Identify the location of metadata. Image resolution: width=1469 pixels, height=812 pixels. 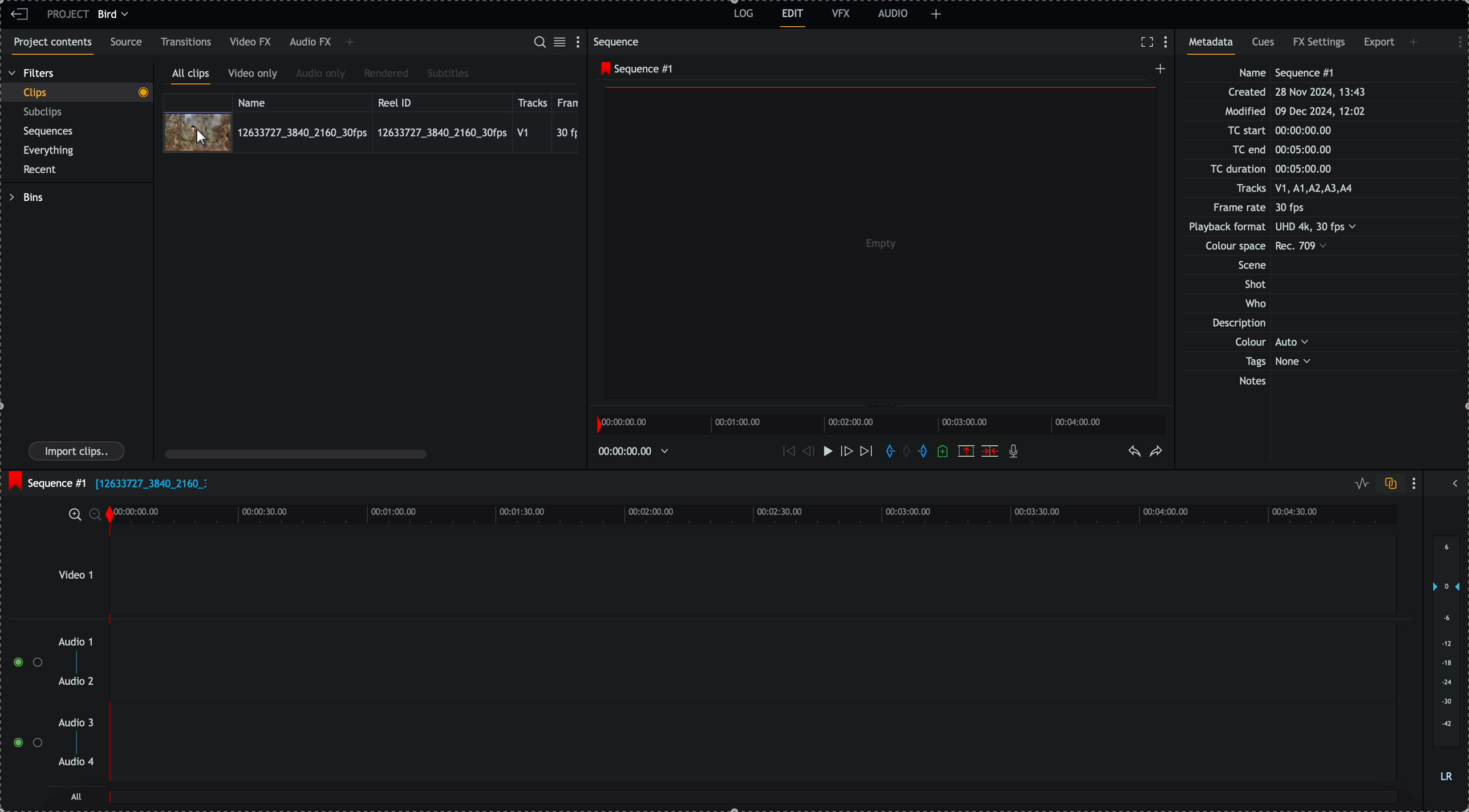
(1215, 46).